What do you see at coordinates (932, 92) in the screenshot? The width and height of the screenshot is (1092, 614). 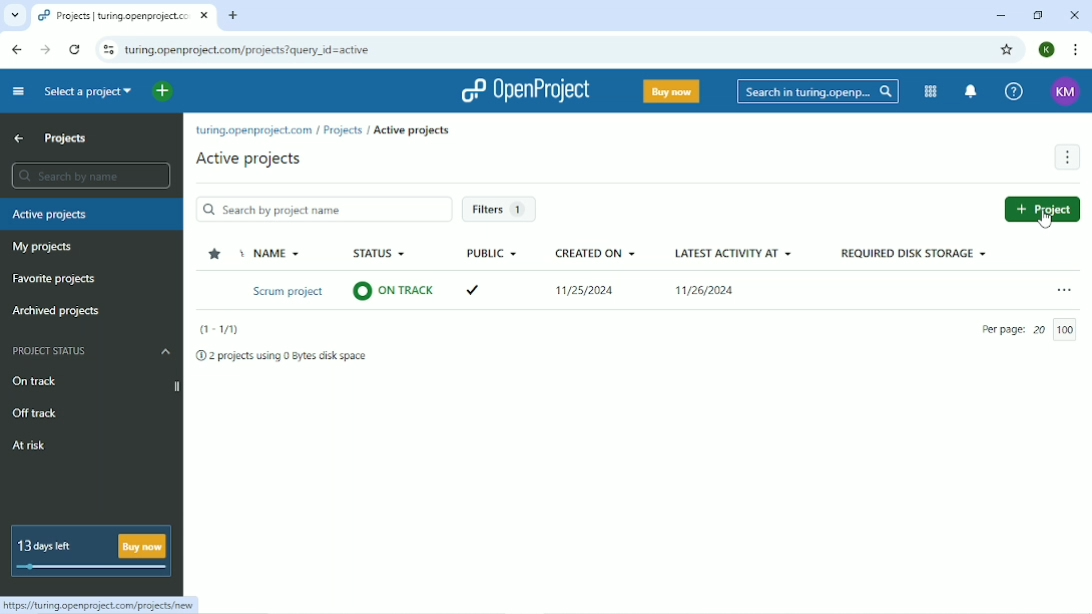 I see `Modules` at bounding box center [932, 92].